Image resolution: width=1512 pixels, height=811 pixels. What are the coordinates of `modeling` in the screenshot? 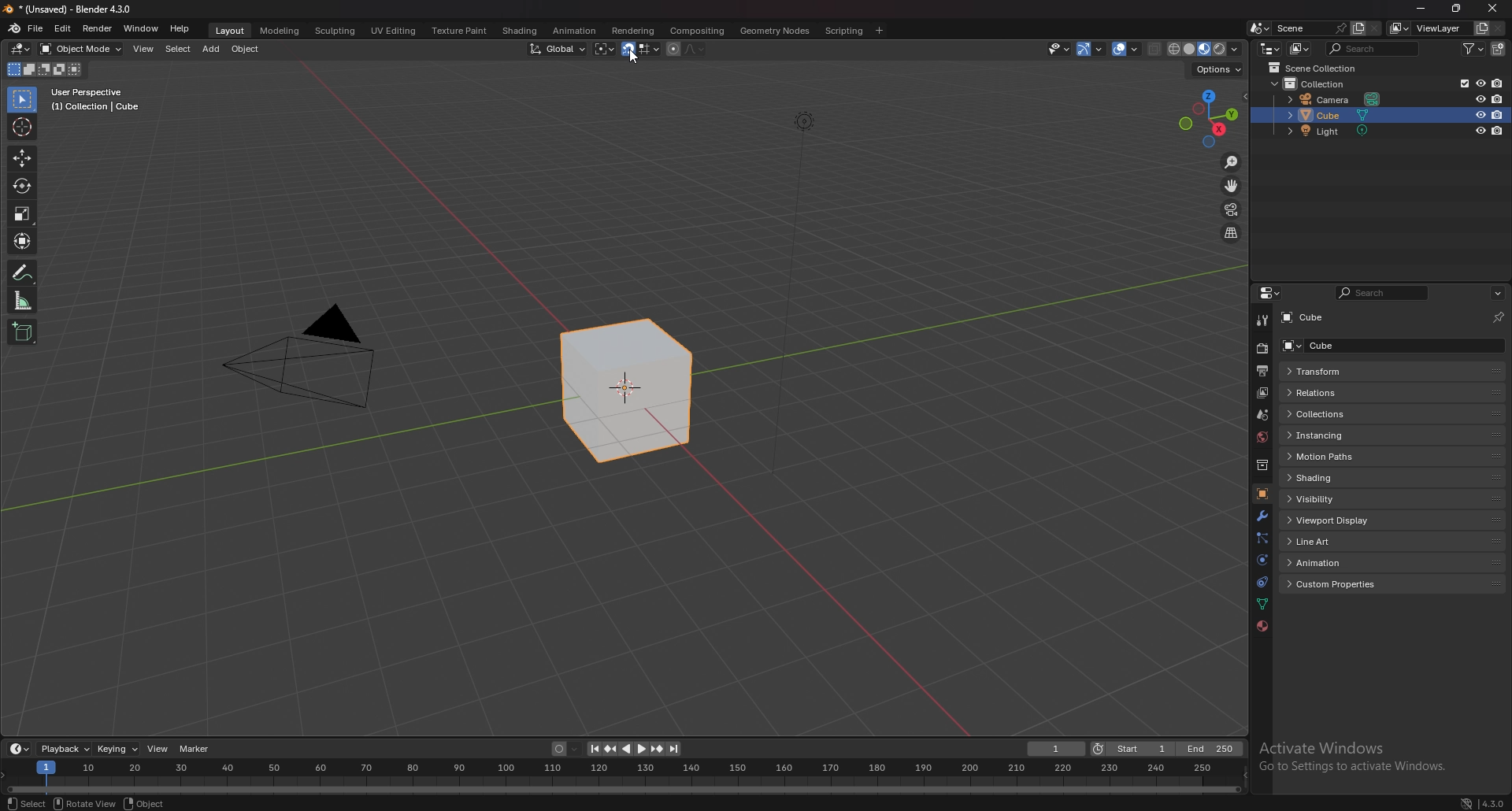 It's located at (280, 30).